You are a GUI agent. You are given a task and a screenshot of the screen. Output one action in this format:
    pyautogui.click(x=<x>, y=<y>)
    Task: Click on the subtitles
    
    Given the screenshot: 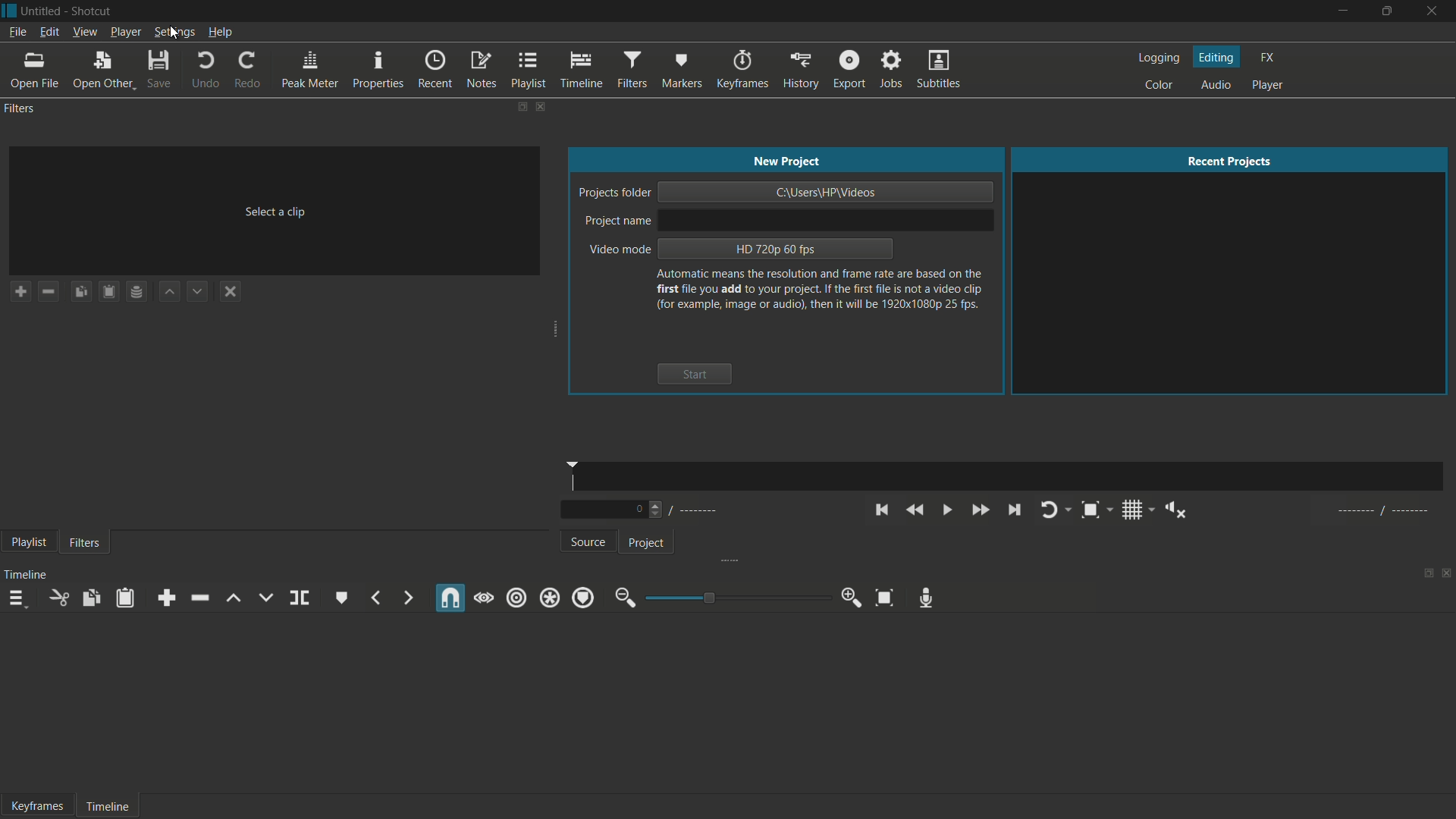 What is the action you would take?
    pyautogui.click(x=938, y=68)
    